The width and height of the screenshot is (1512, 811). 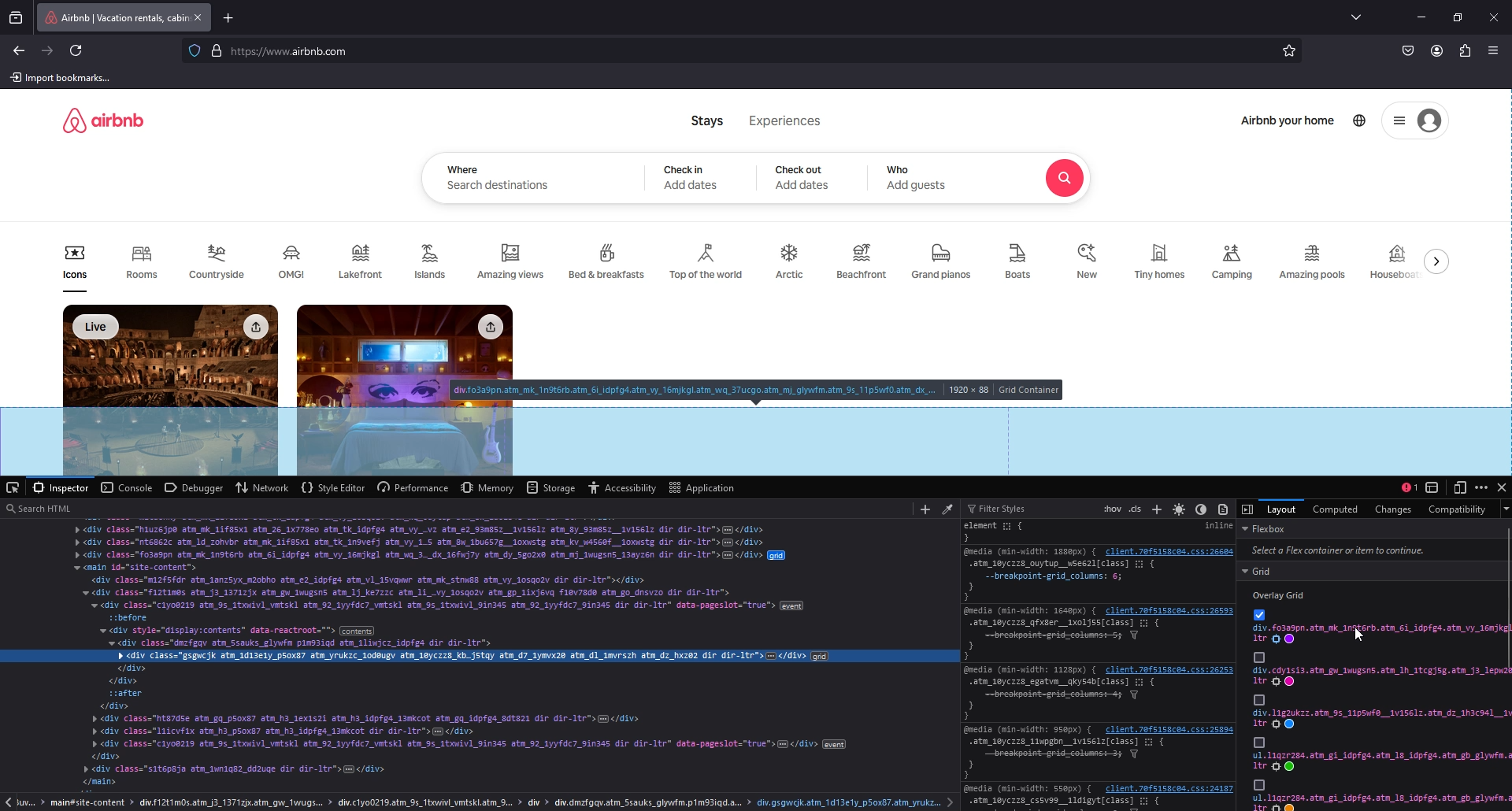 What do you see at coordinates (1503, 180) in the screenshot?
I see `scroll bar` at bounding box center [1503, 180].